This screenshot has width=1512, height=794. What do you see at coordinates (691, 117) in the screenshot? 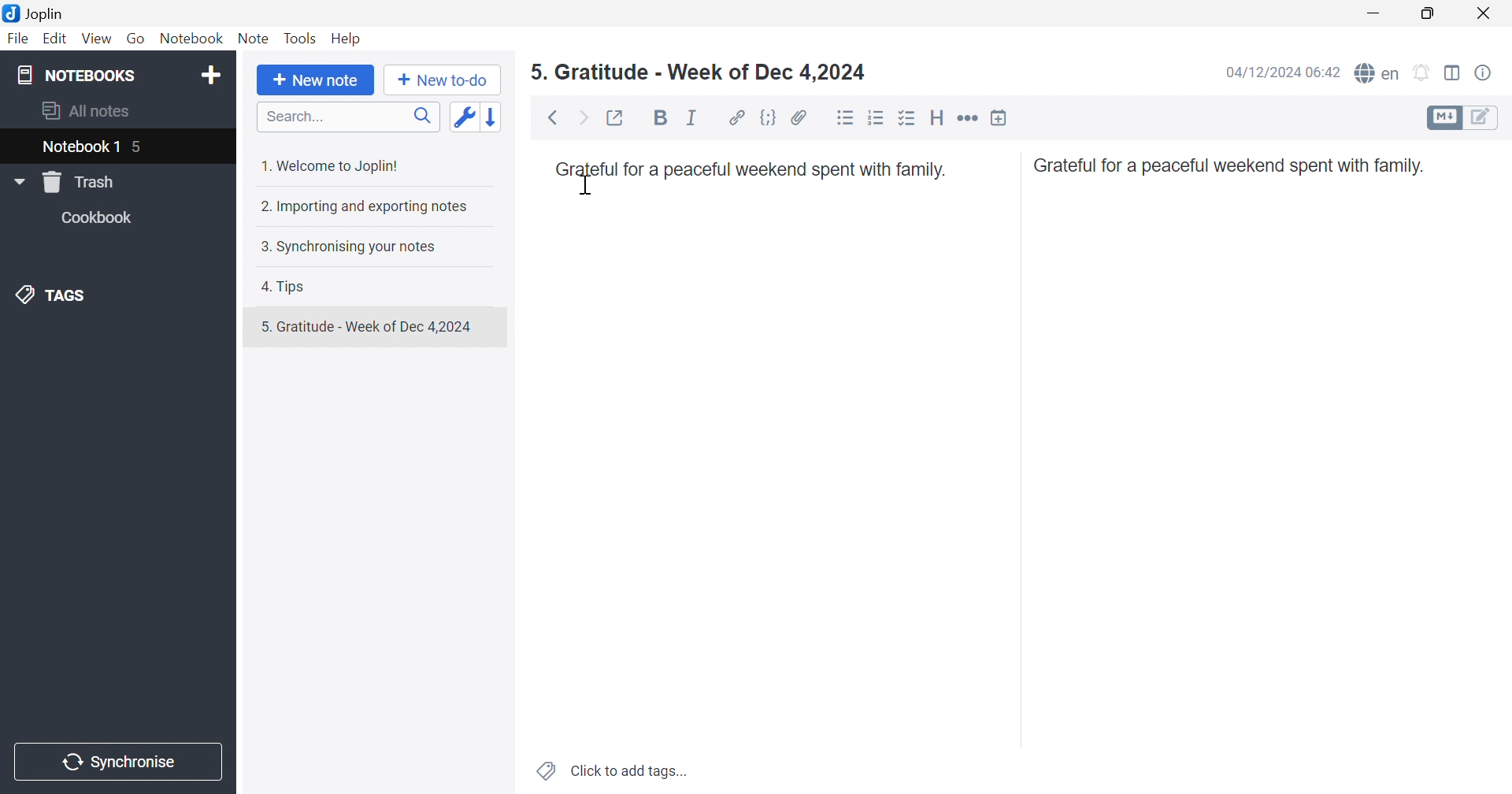
I see `Italic` at bounding box center [691, 117].